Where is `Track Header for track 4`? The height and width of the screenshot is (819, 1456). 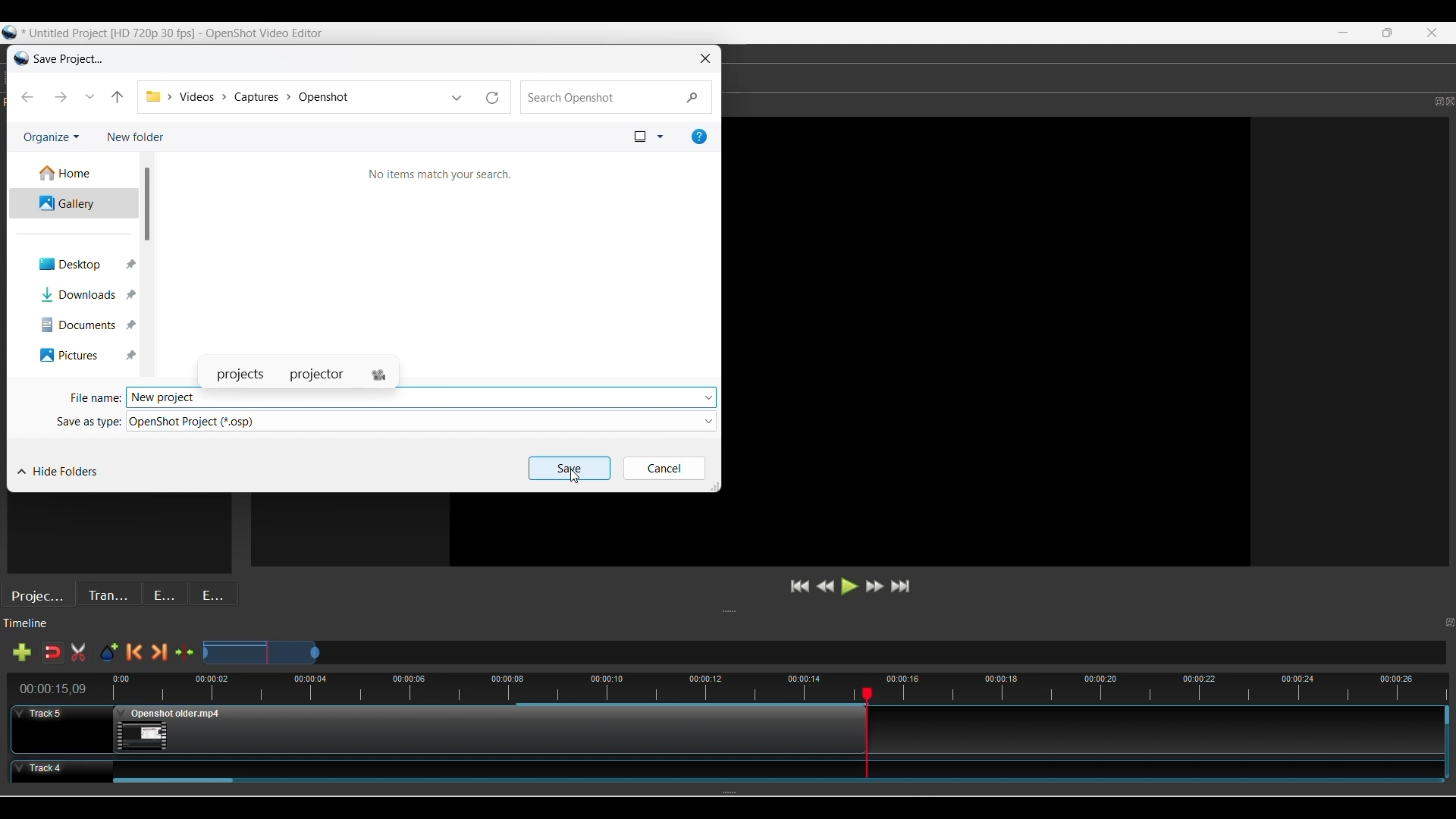 Track Header for track 4 is located at coordinates (55, 771).